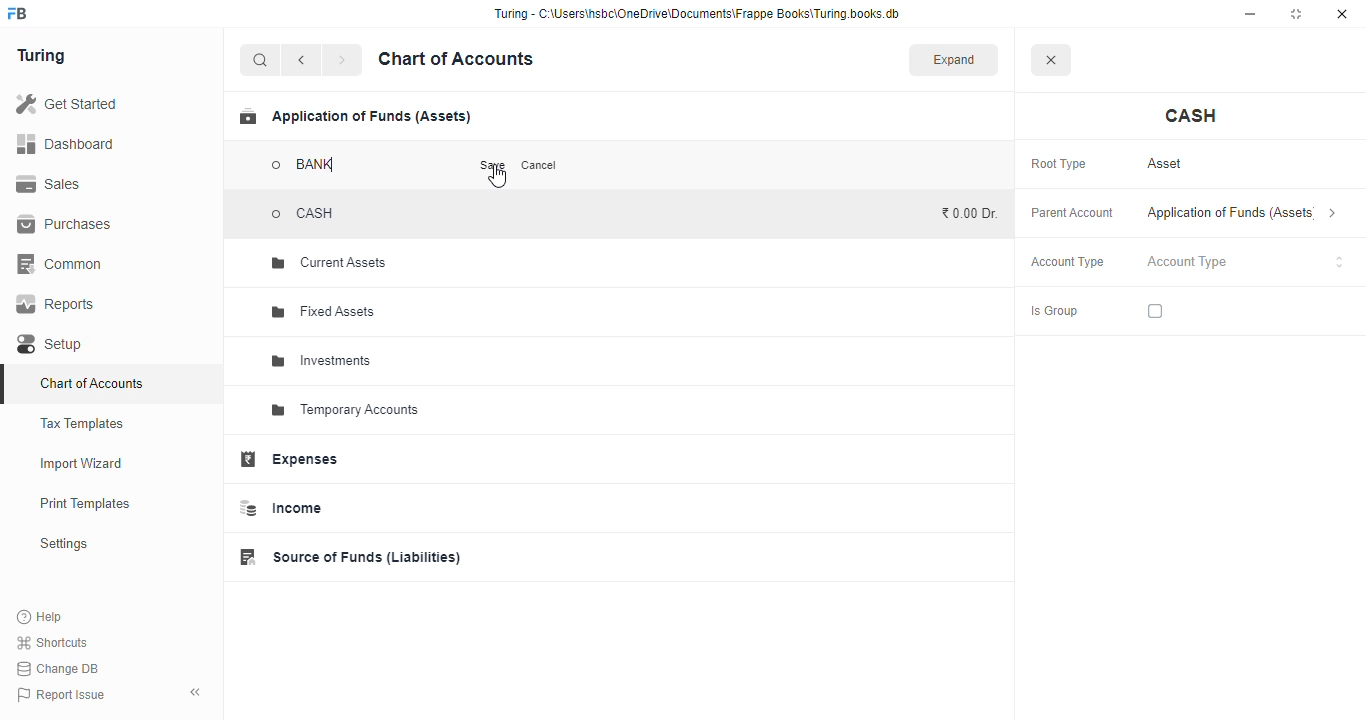 The image size is (1366, 720). Describe the element at coordinates (67, 225) in the screenshot. I see `purchases` at that location.